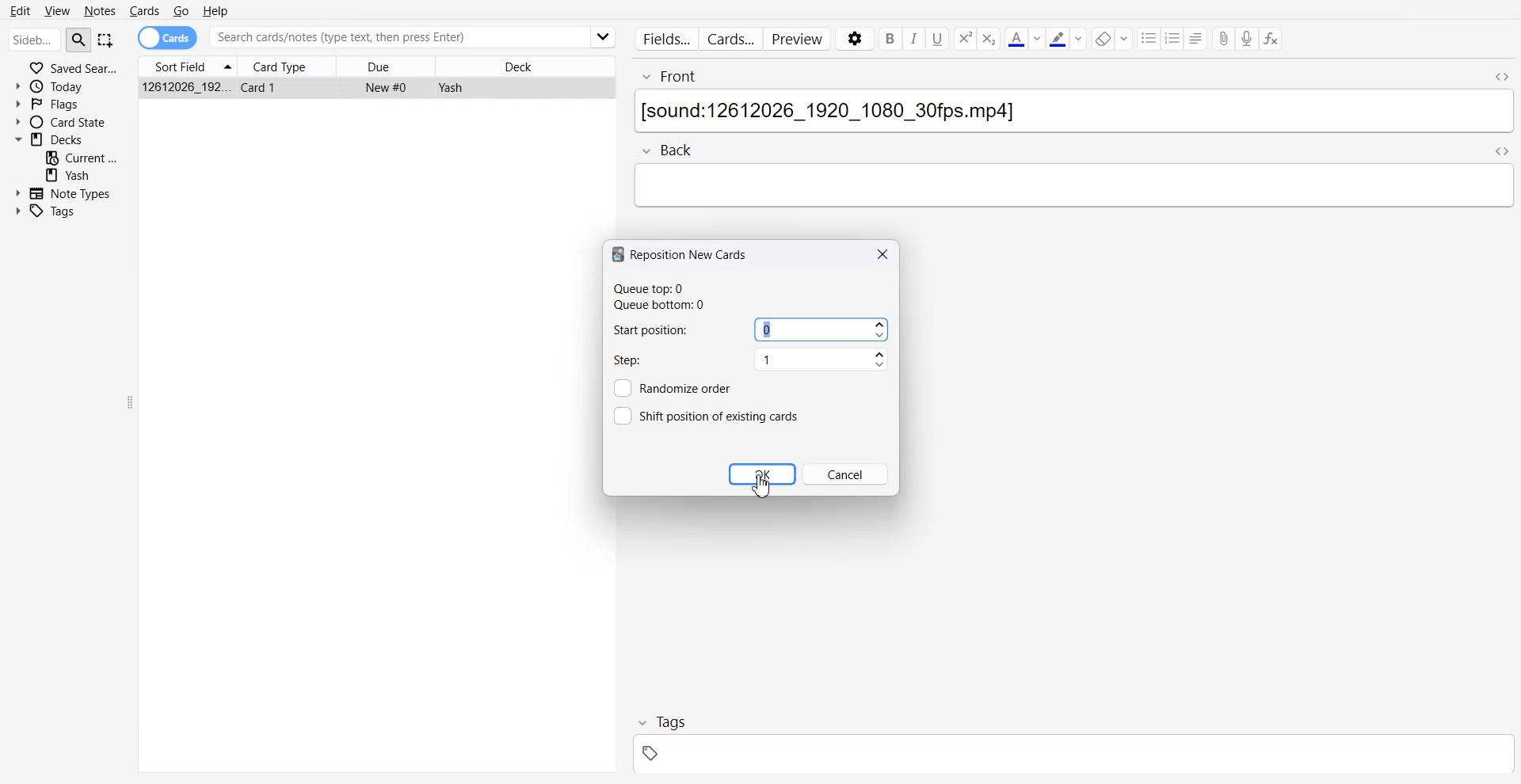 Image resolution: width=1521 pixels, height=784 pixels. I want to click on Saved Search, so click(67, 67).